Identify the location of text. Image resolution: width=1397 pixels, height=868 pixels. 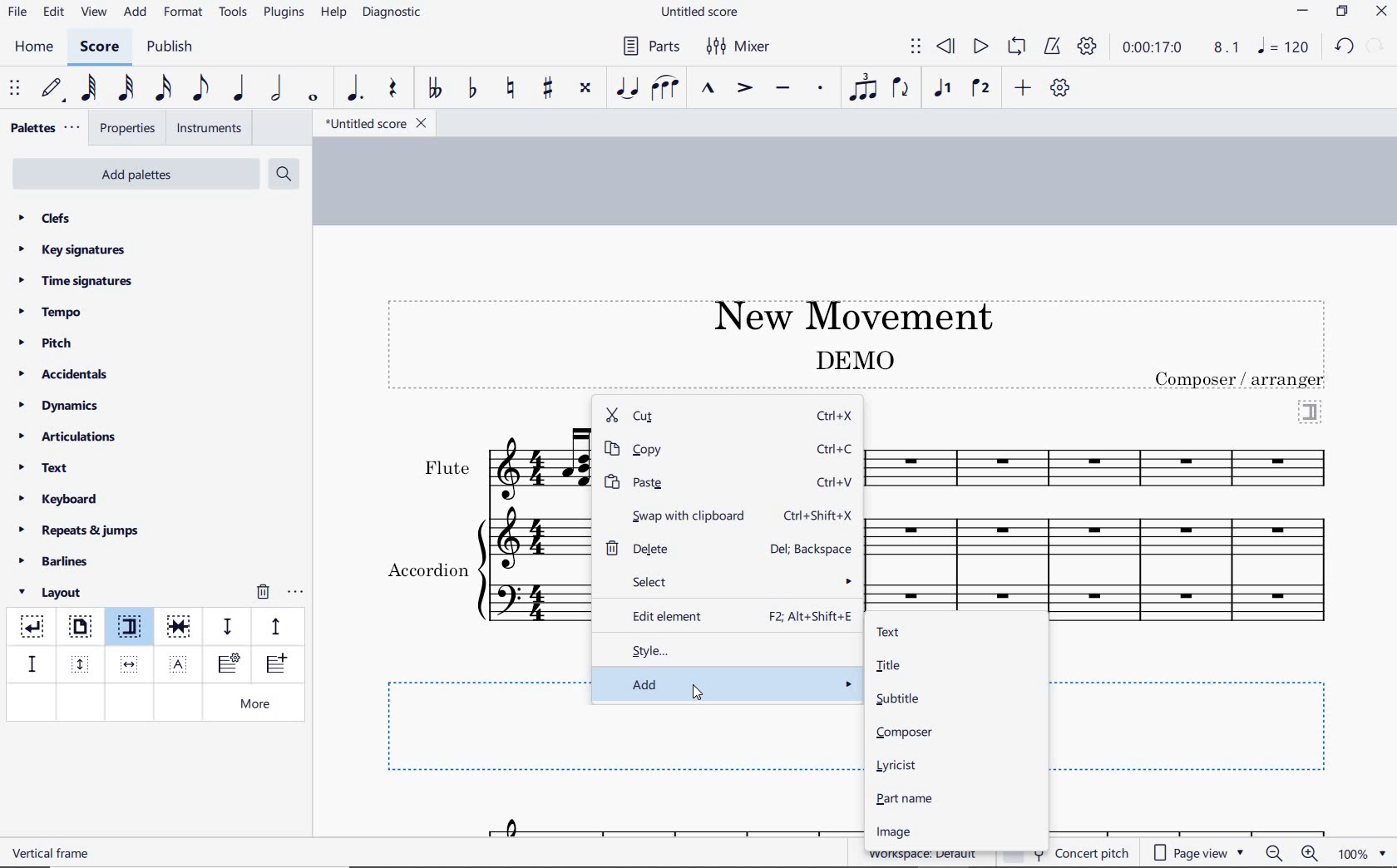
(427, 572).